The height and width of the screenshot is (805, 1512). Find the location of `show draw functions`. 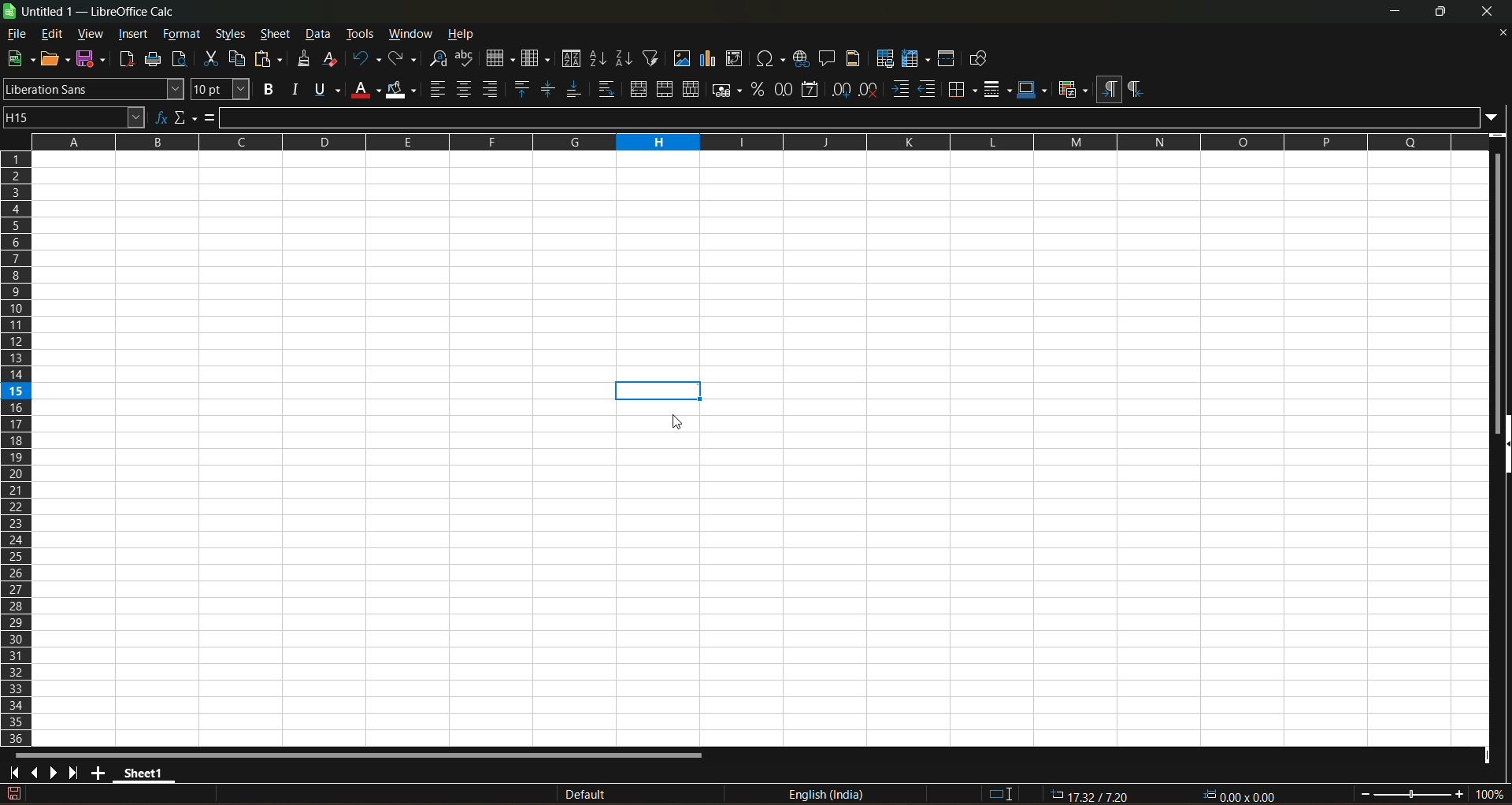

show draw functions is located at coordinates (978, 57).